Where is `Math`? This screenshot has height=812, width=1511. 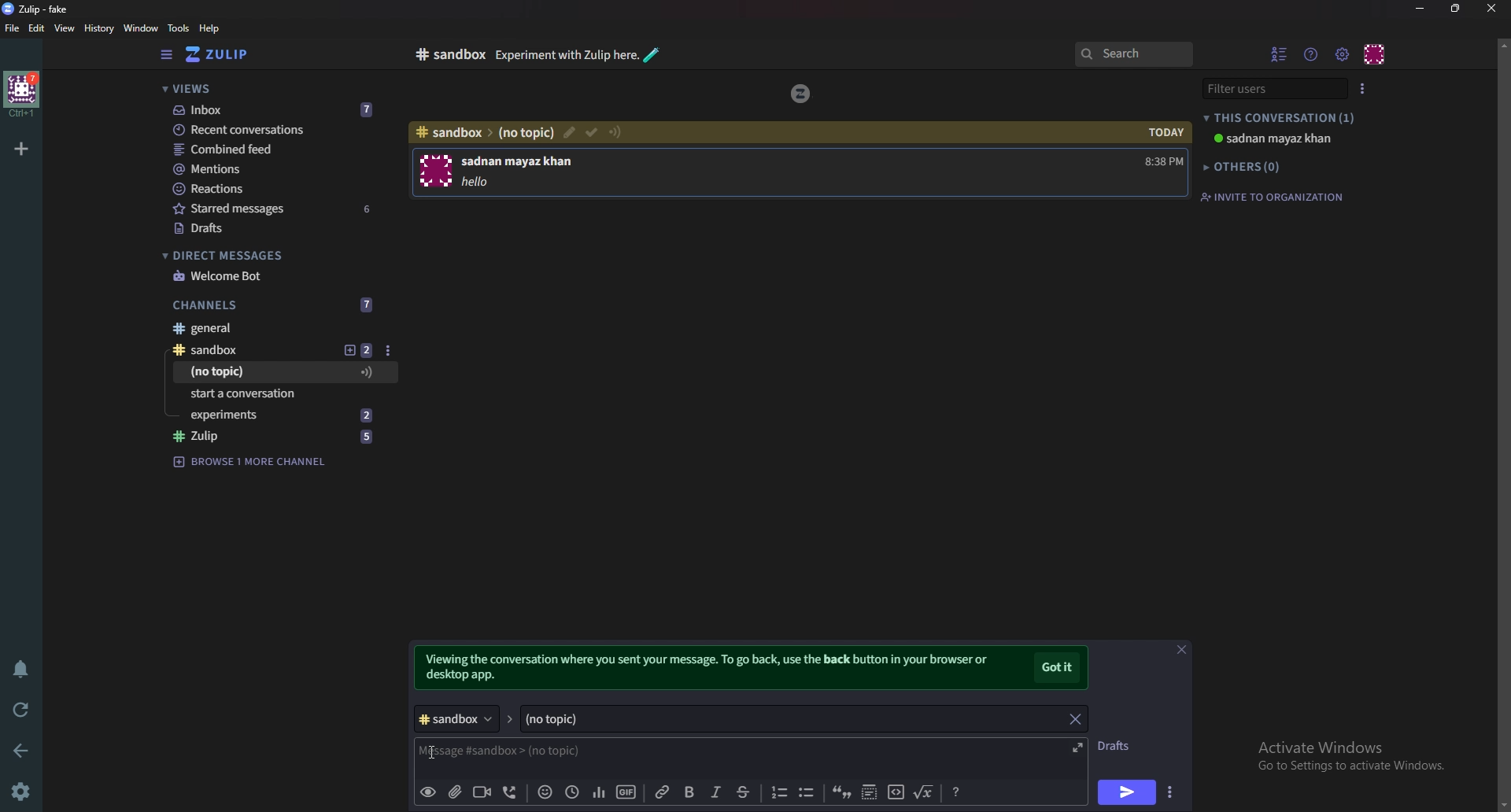
Math is located at coordinates (923, 792).